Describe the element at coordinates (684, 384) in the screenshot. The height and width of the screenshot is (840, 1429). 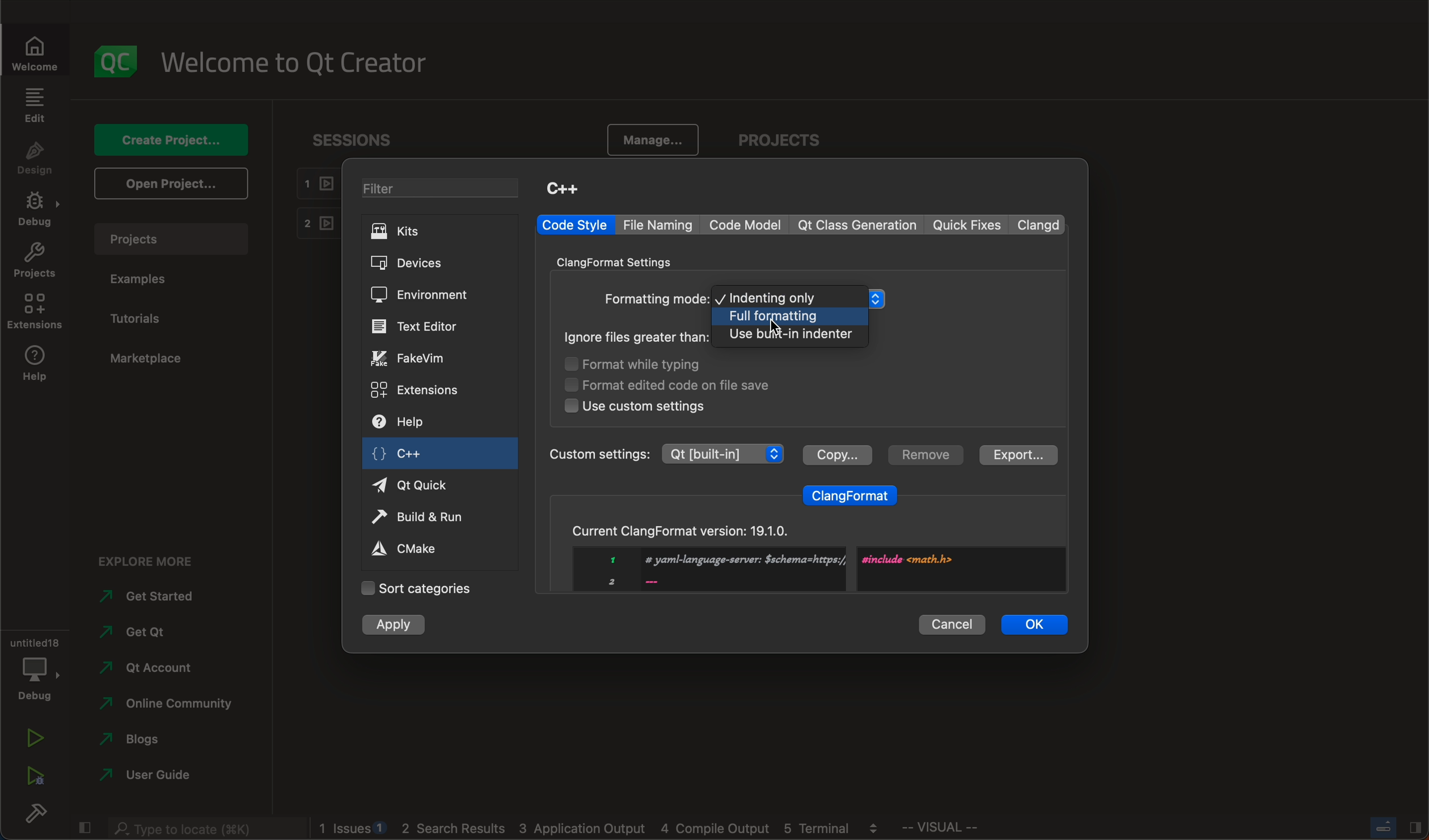
I see `format edited` at that location.